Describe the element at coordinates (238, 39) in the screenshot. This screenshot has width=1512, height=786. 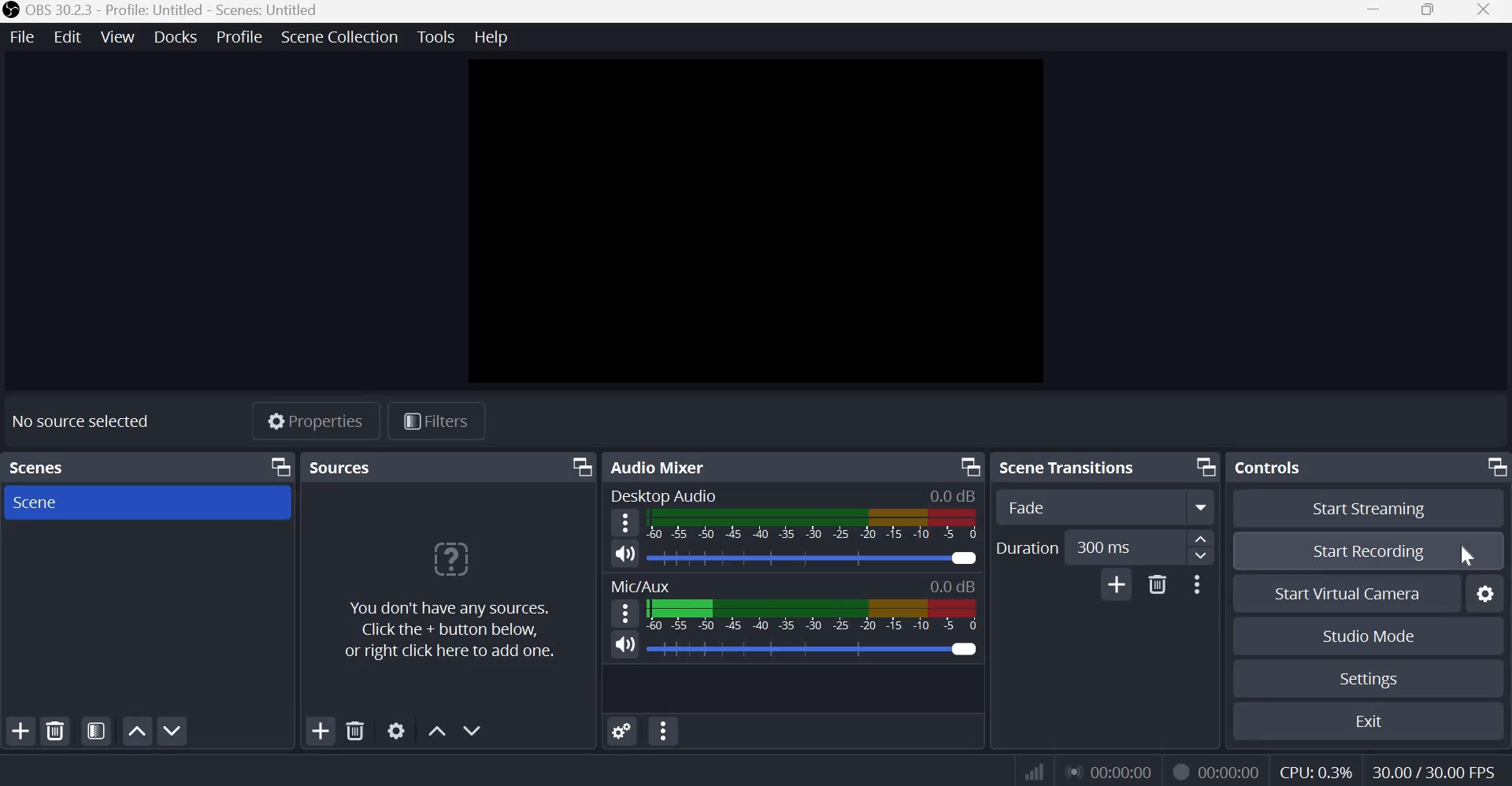
I see `Profile` at that location.